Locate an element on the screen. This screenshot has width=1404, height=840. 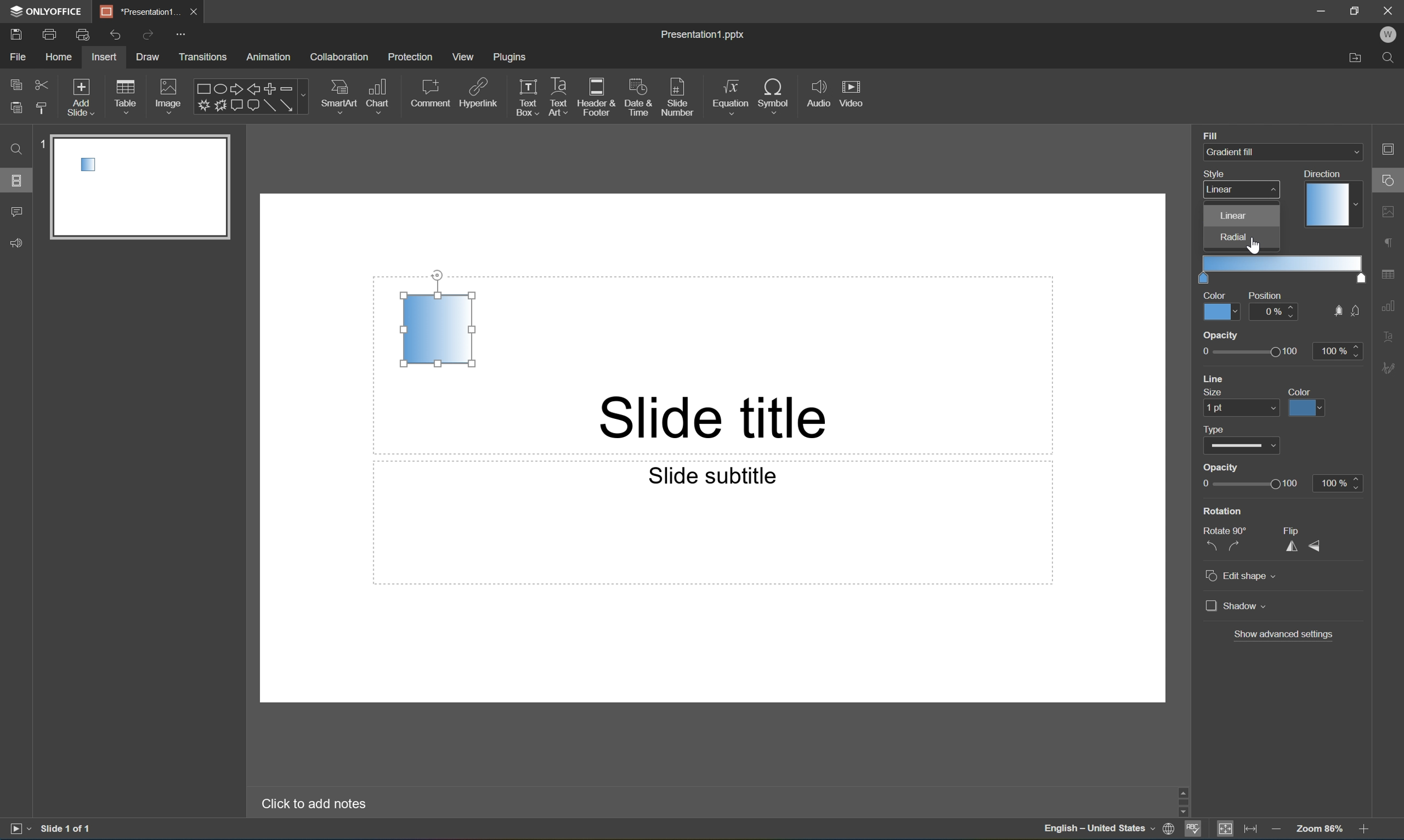
Insert is located at coordinates (104, 57).